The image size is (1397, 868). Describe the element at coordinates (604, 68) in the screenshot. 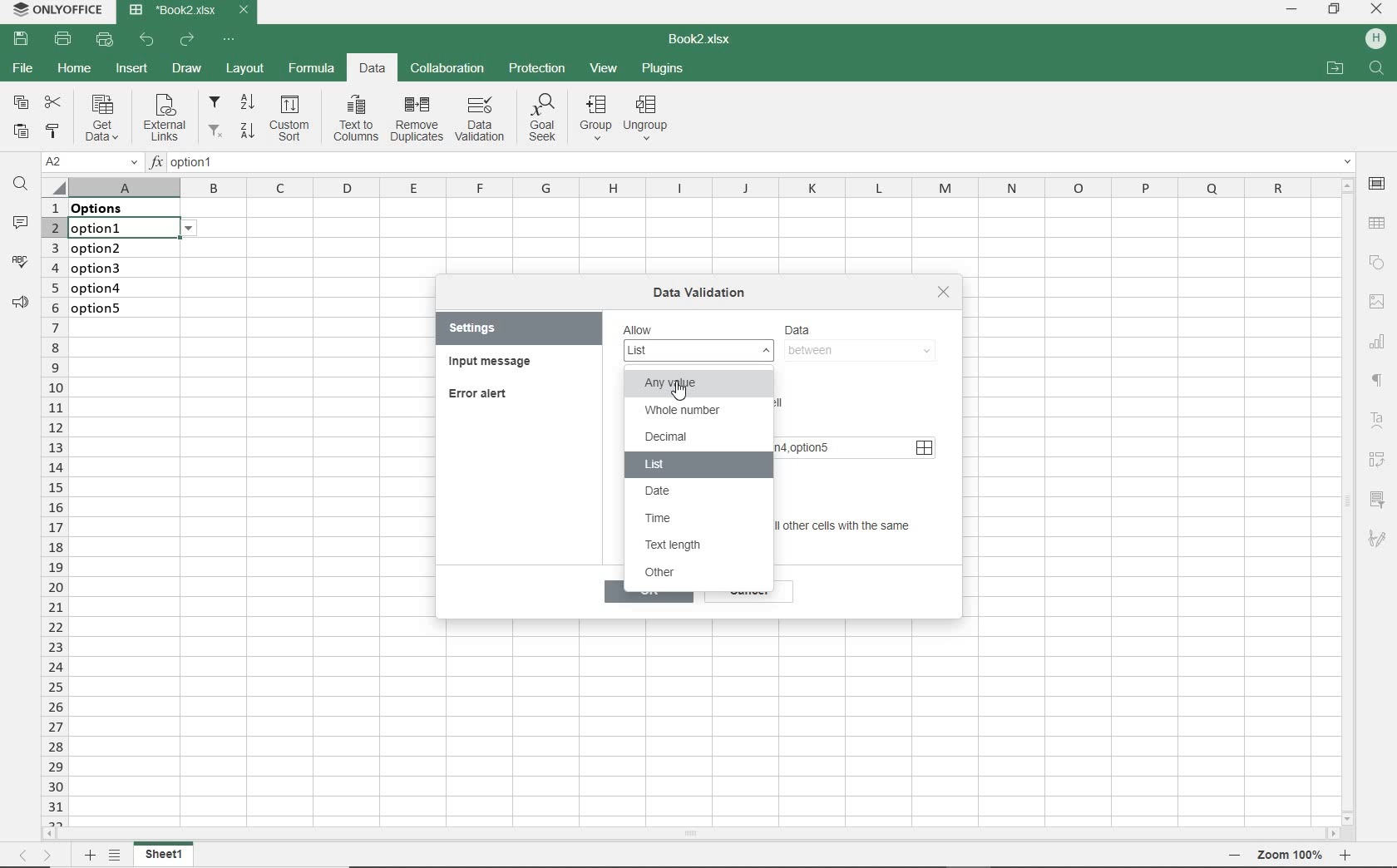

I see `VIEW` at that location.